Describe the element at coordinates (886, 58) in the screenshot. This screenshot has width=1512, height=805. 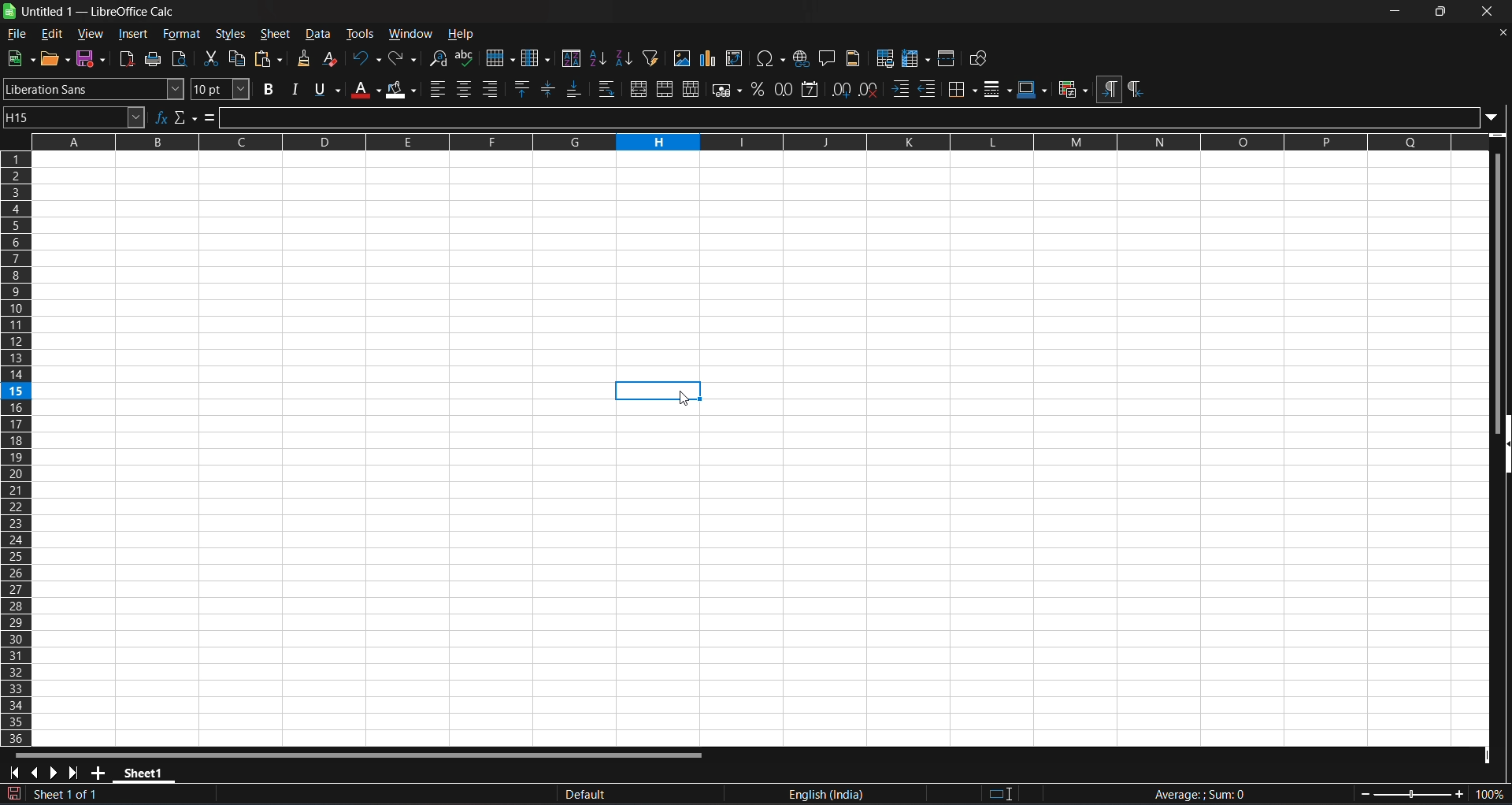
I see `define print area` at that location.